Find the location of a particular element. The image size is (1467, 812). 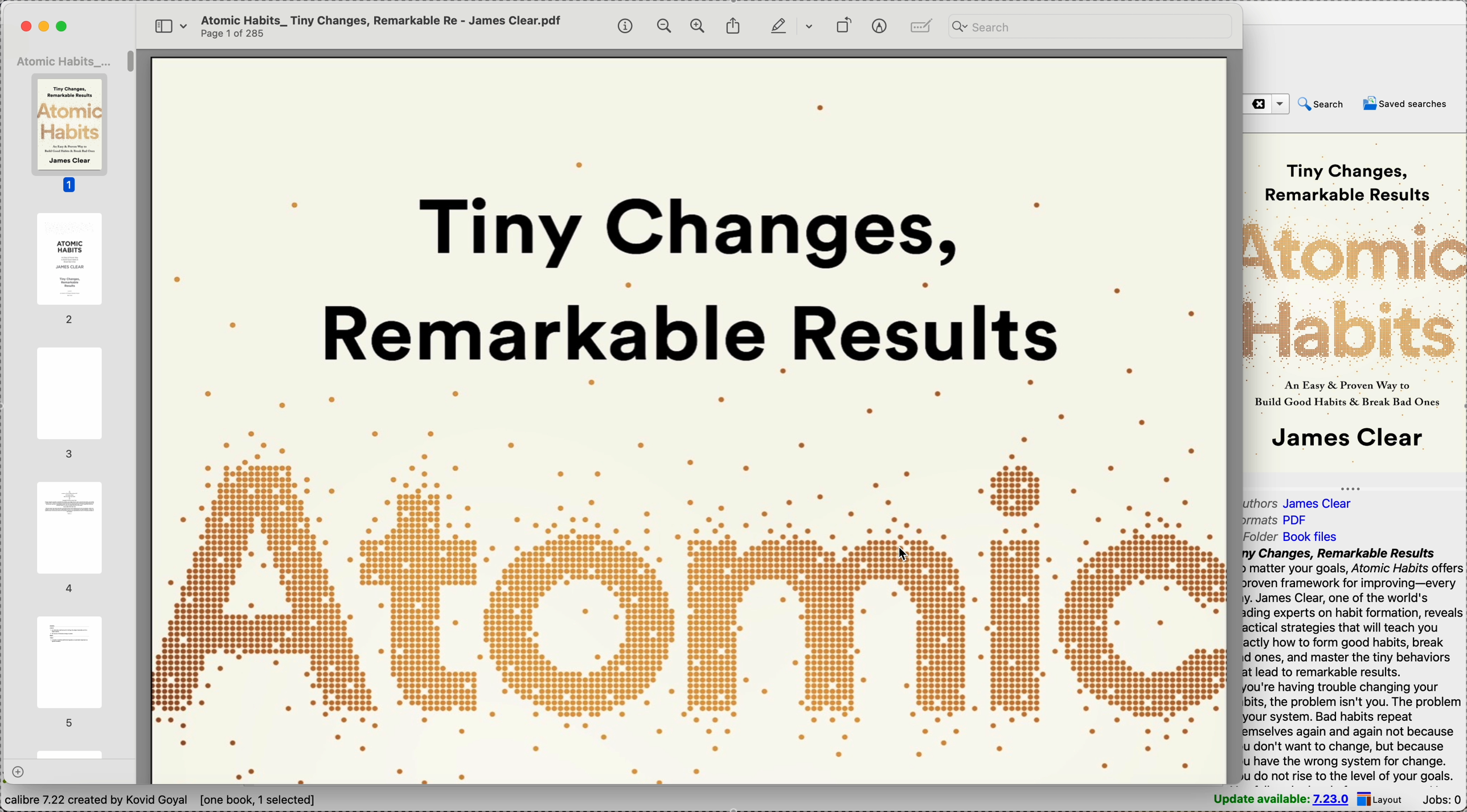

search bar is located at coordinates (1088, 26).